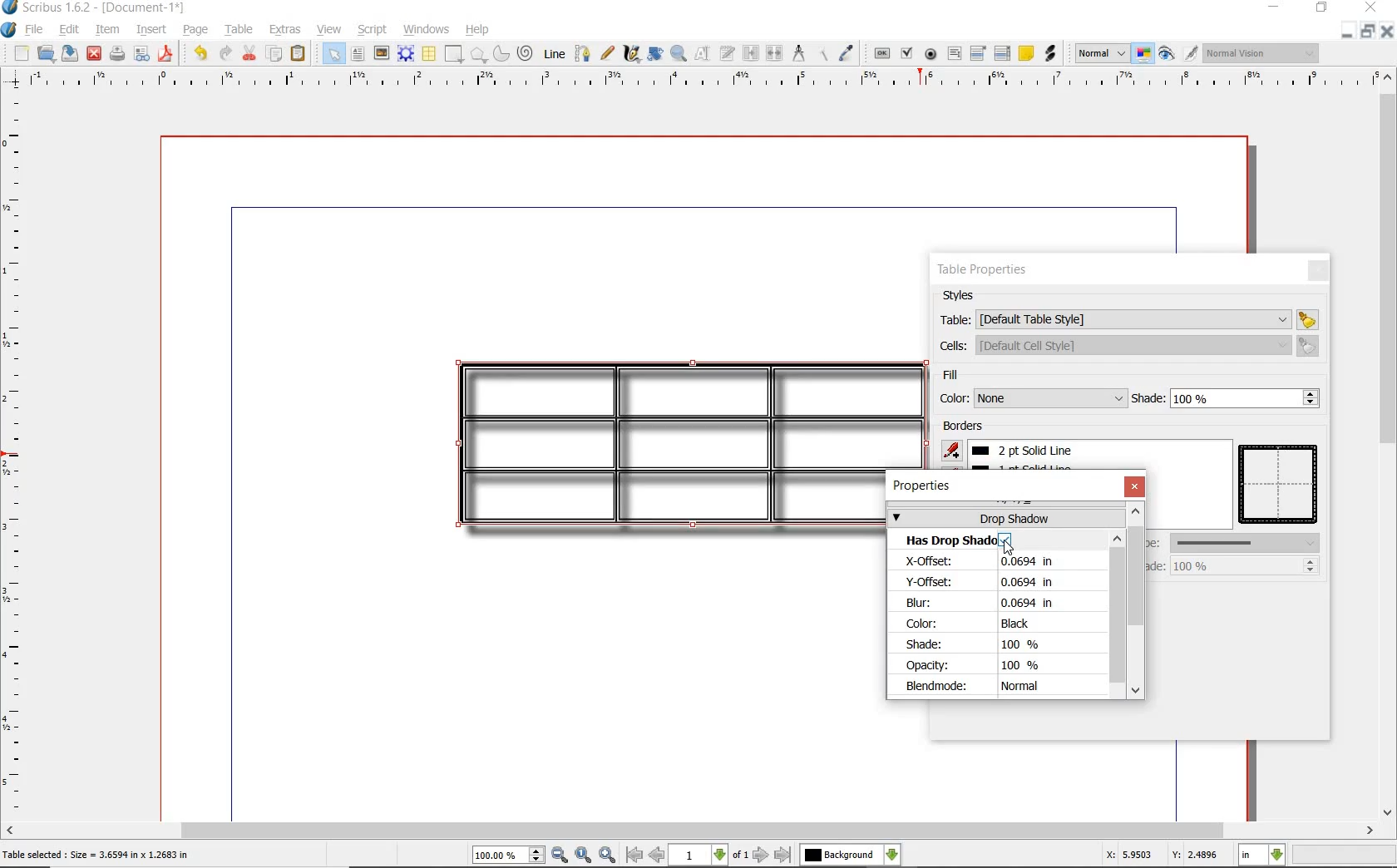  Describe the element at coordinates (526, 54) in the screenshot. I see `spiral` at that location.